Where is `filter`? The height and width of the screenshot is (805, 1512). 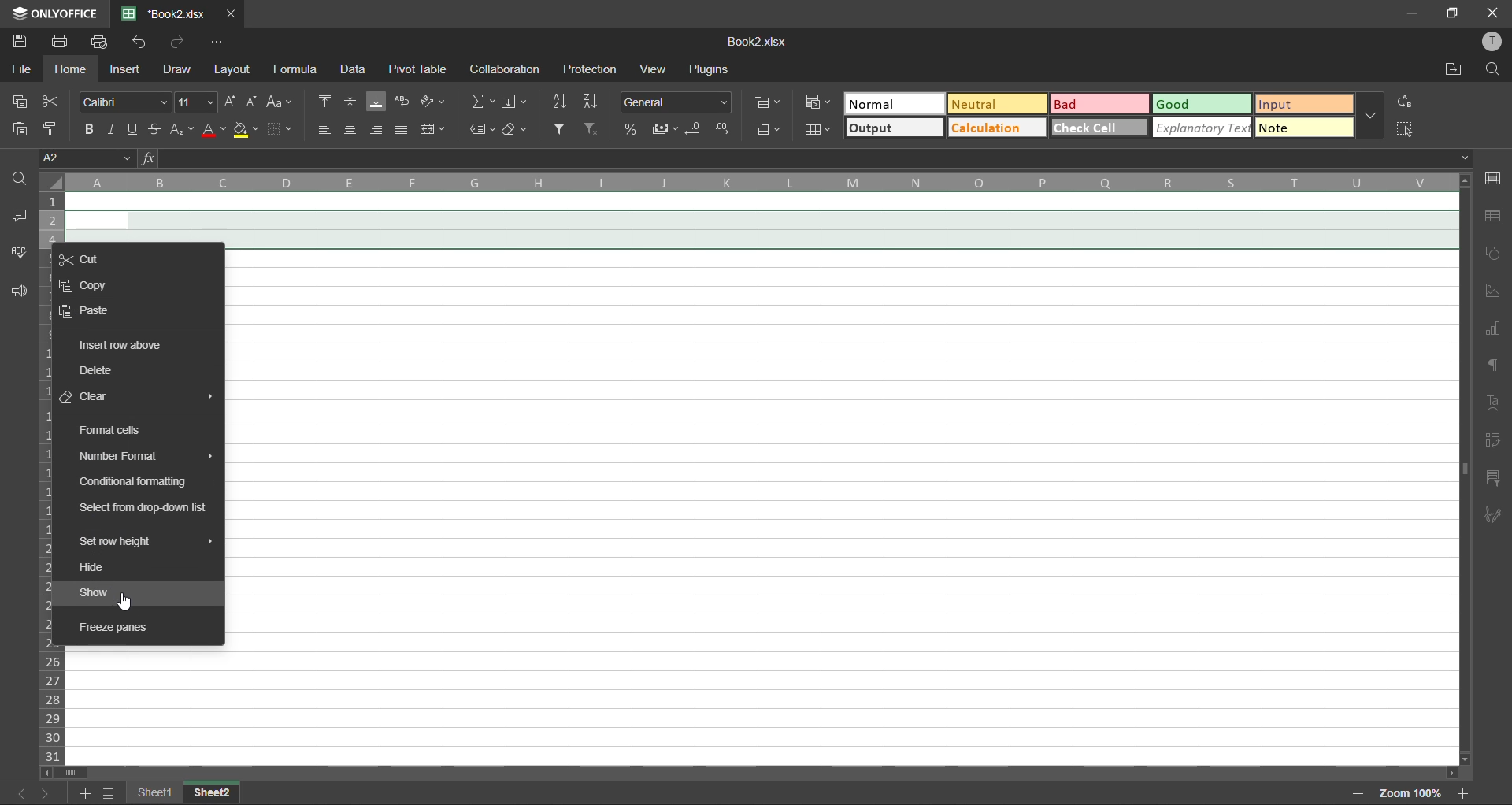
filter is located at coordinates (562, 129).